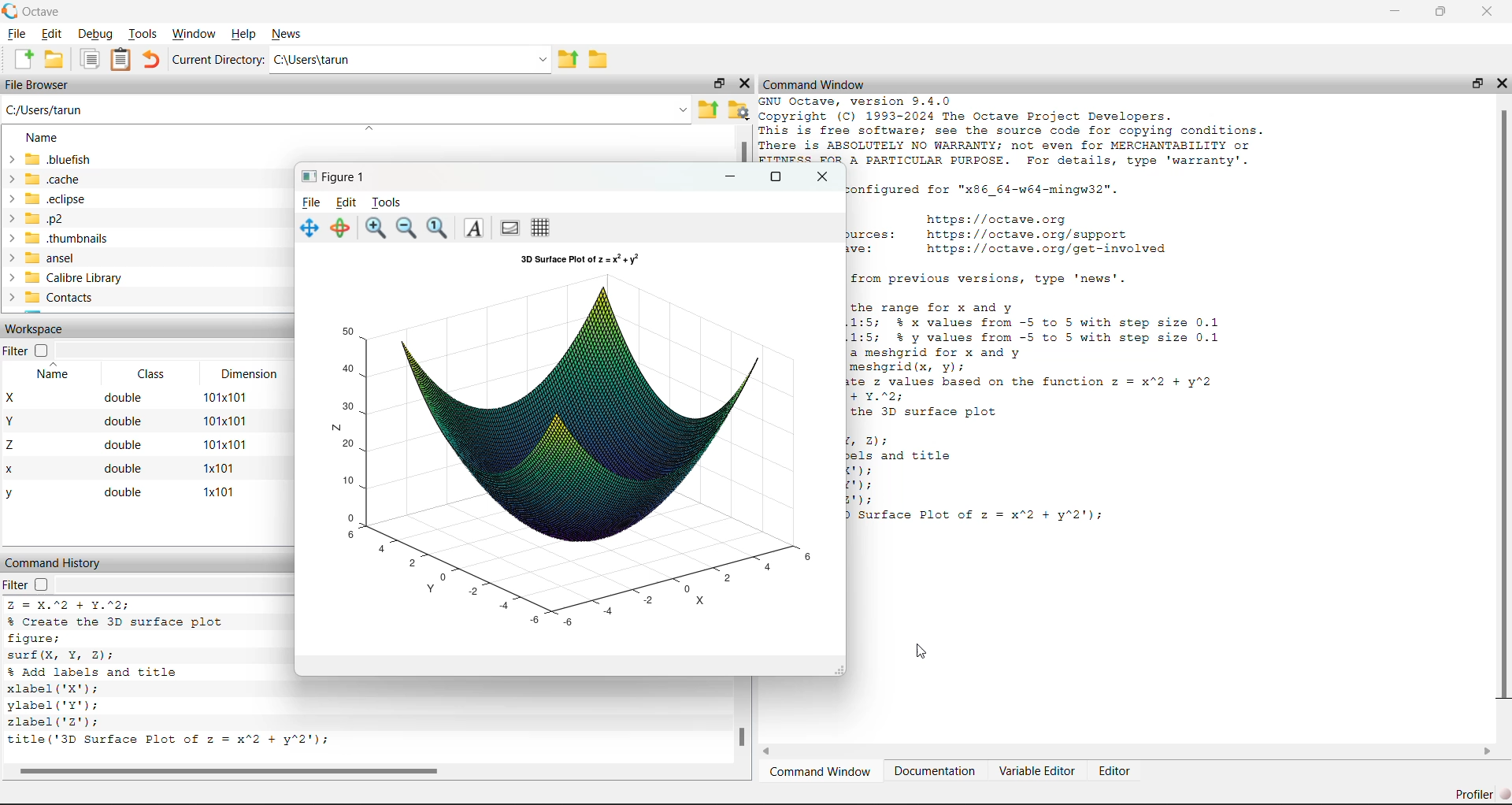 This screenshot has height=805, width=1512. Describe the element at coordinates (1502, 84) in the screenshot. I see `Close` at that location.